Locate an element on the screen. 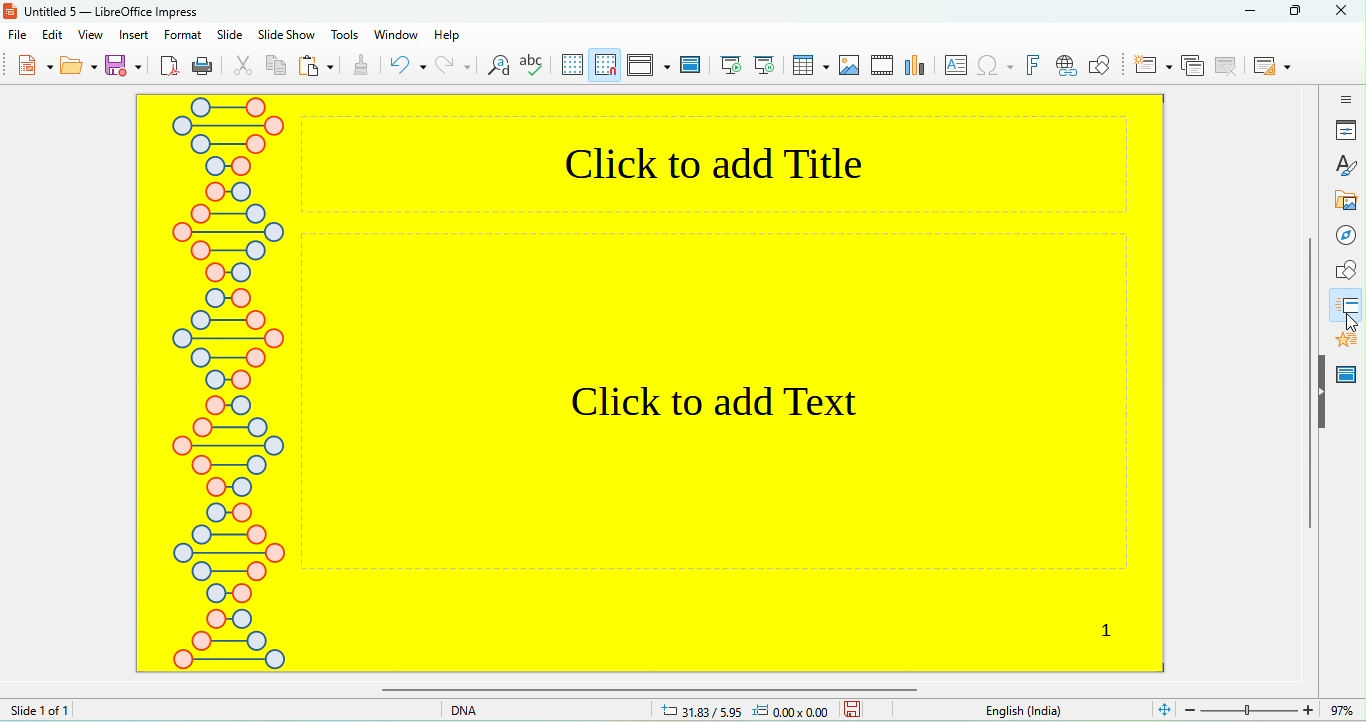 This screenshot has height=722, width=1366. insert text box is located at coordinates (951, 69).